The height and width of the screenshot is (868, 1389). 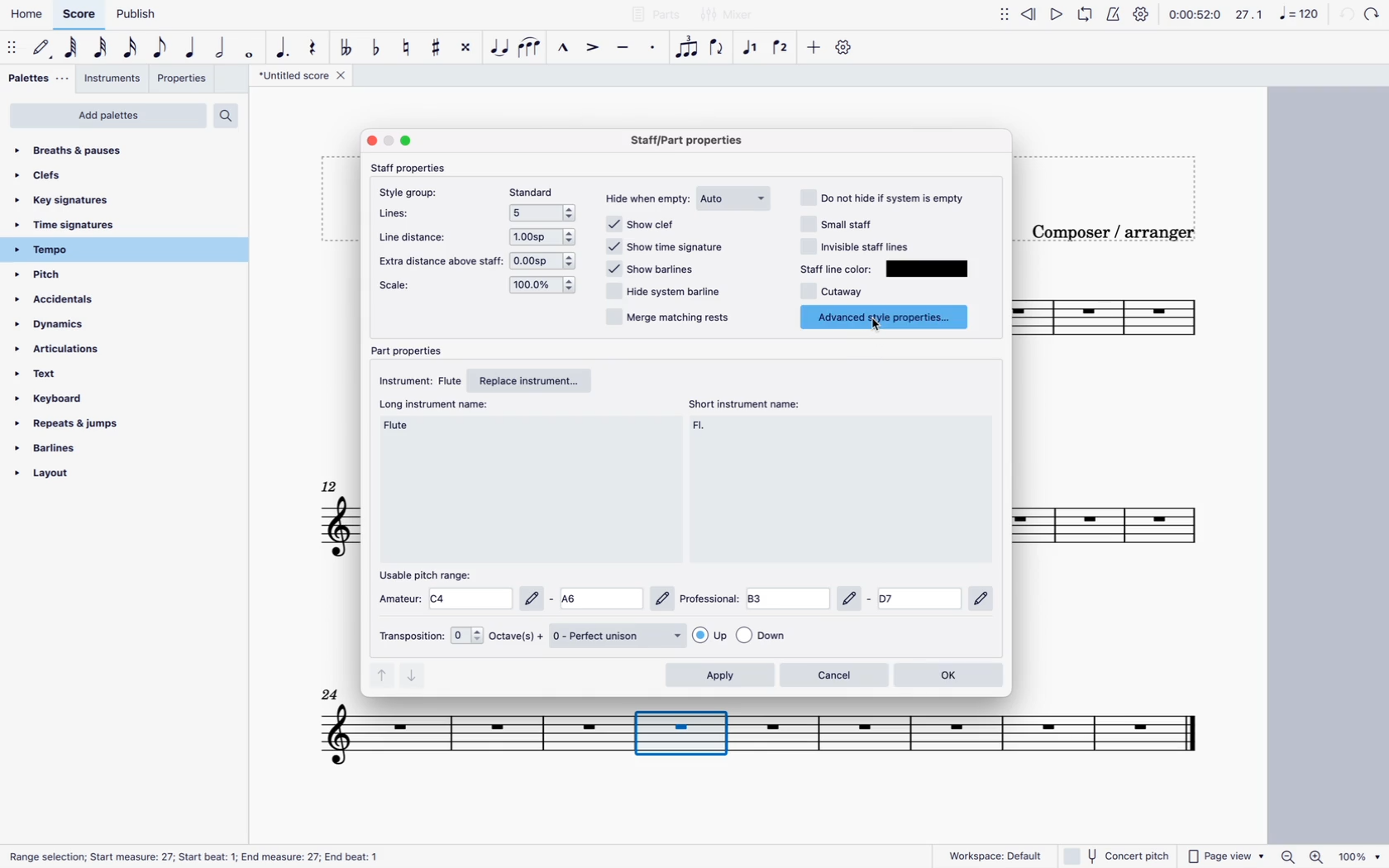 I want to click on move, so click(x=1000, y=13).